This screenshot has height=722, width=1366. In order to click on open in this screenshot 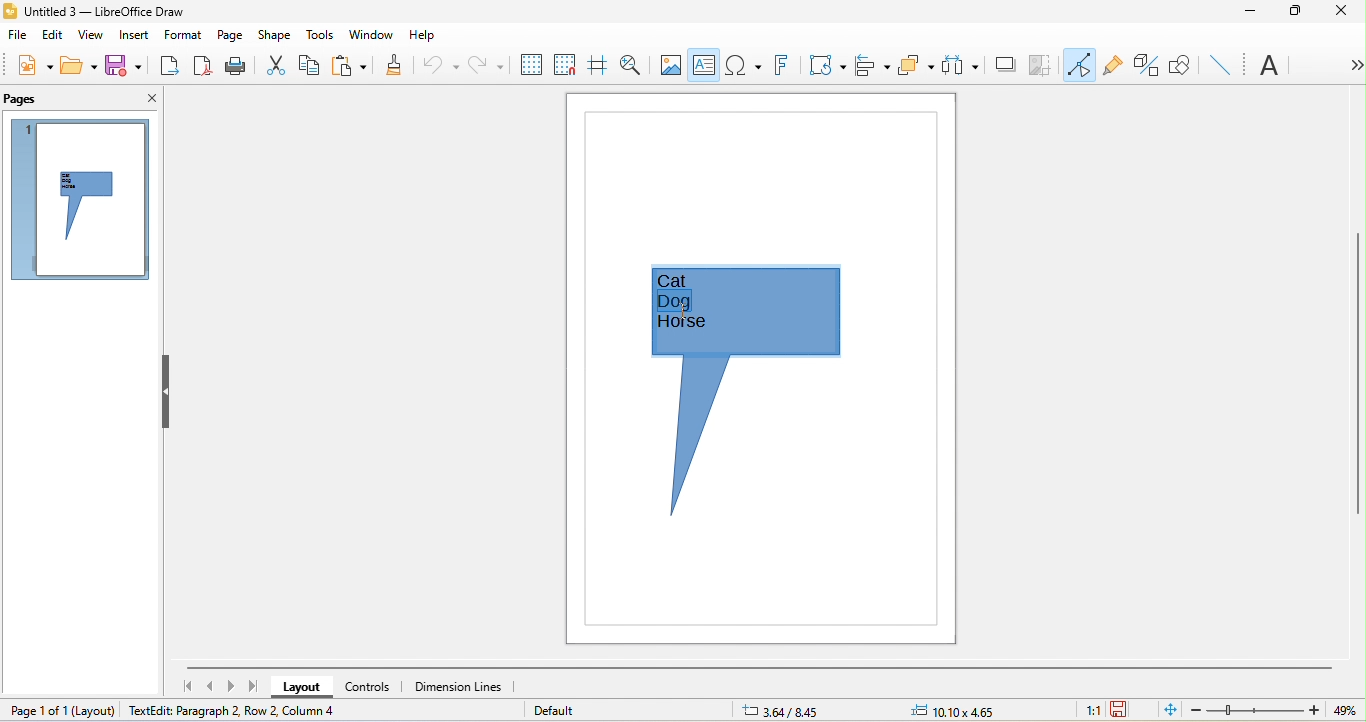, I will do `click(79, 65)`.